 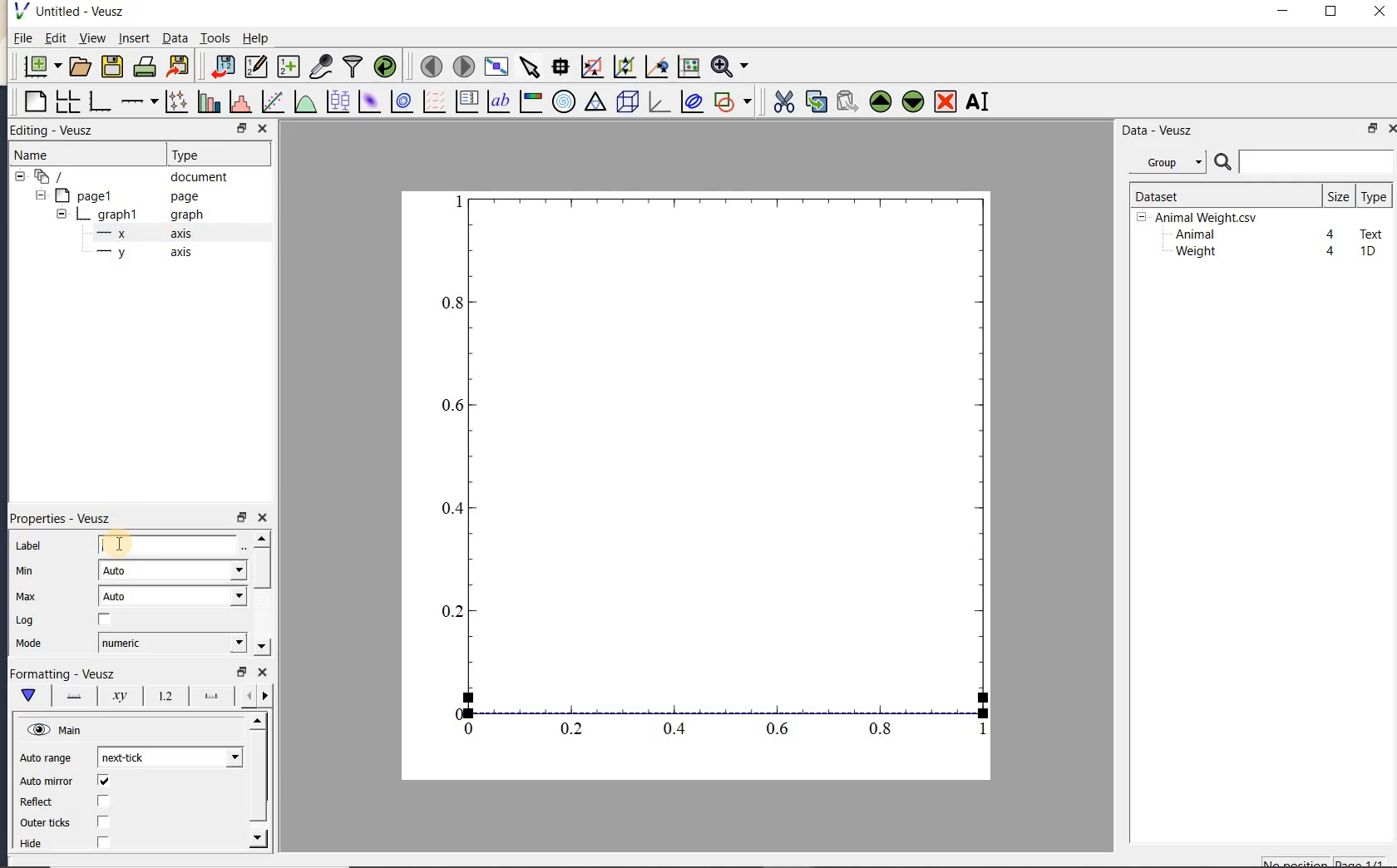 I want to click on Type, so click(x=215, y=153).